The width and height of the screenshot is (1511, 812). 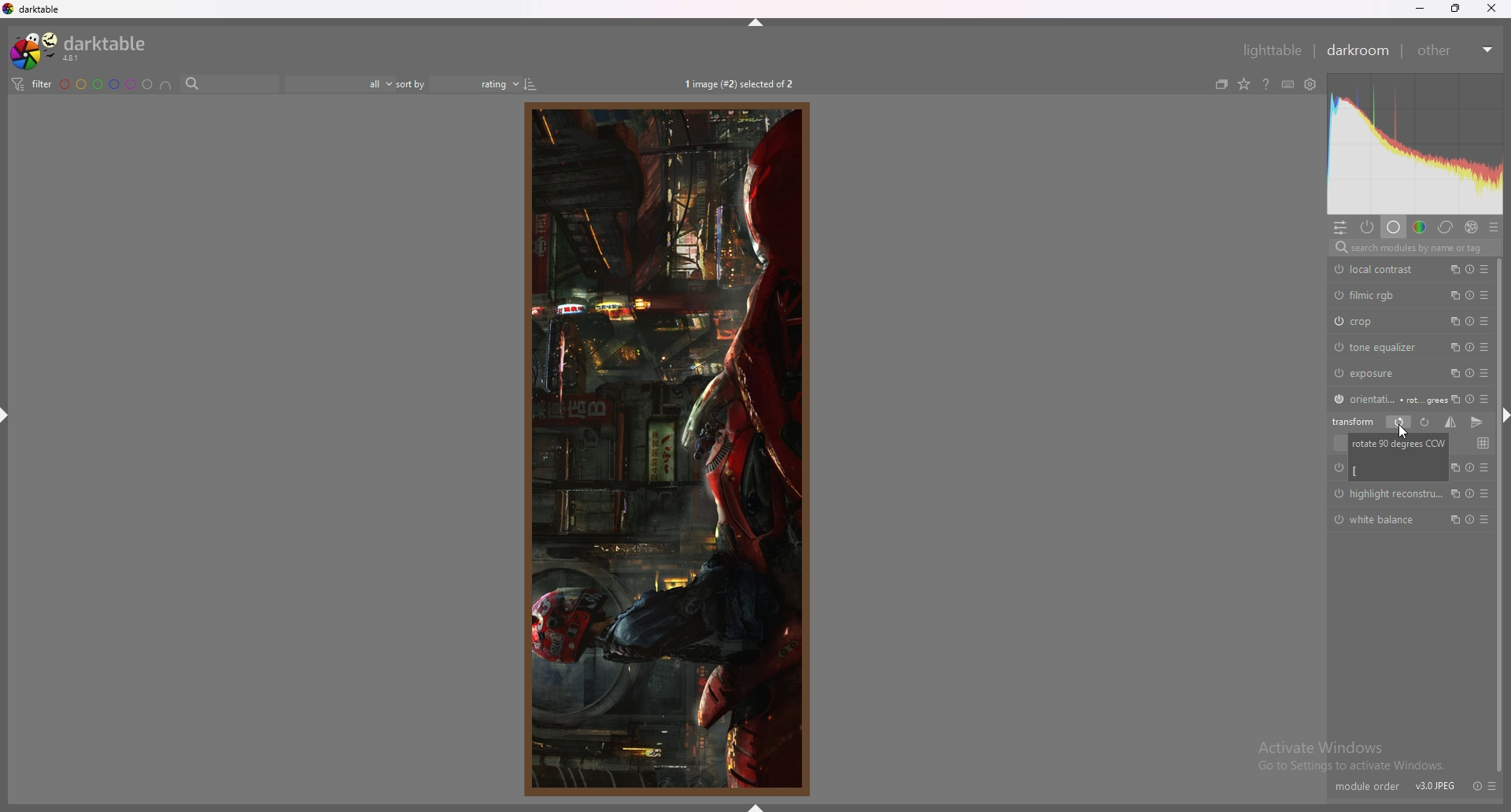 What do you see at coordinates (1483, 294) in the screenshot?
I see `presets` at bounding box center [1483, 294].